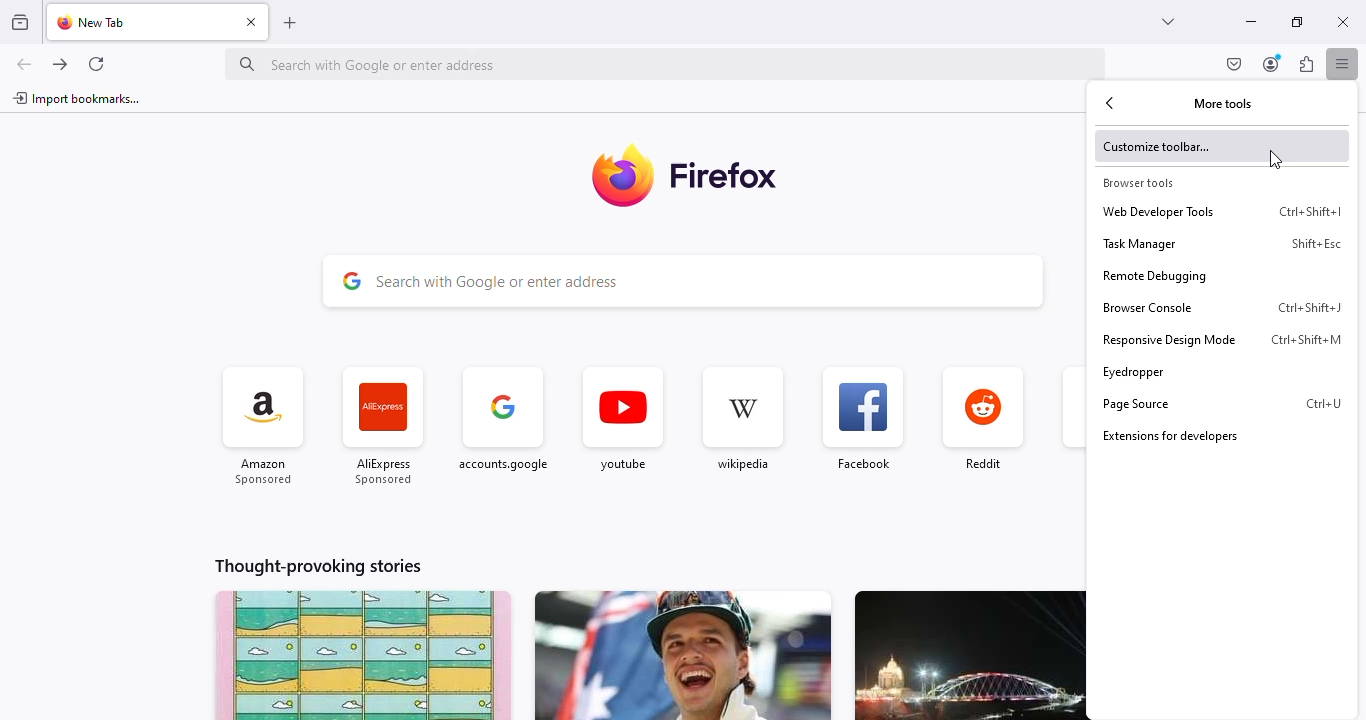  I want to click on extensions, so click(1306, 63).